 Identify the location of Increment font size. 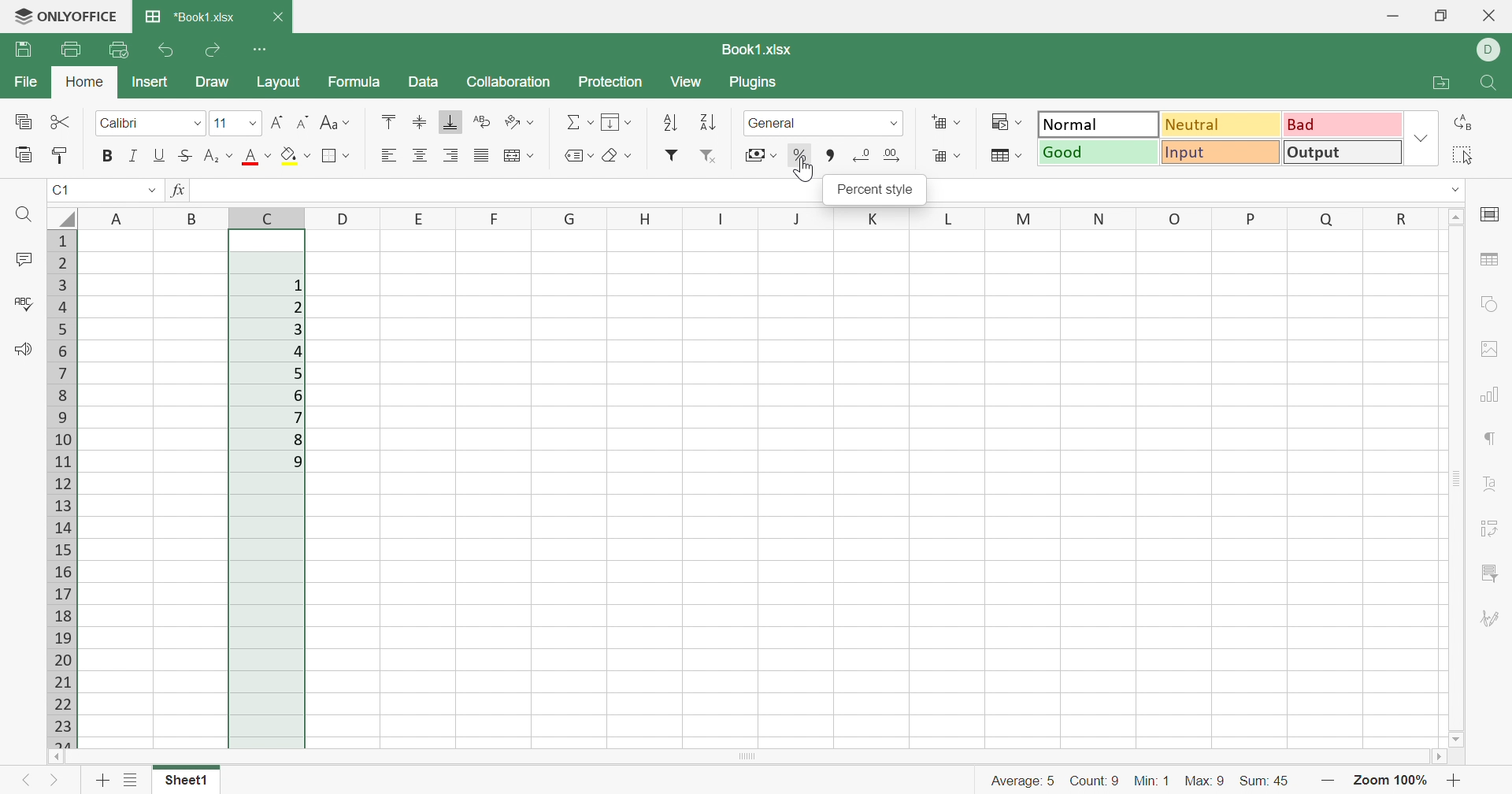
(302, 121).